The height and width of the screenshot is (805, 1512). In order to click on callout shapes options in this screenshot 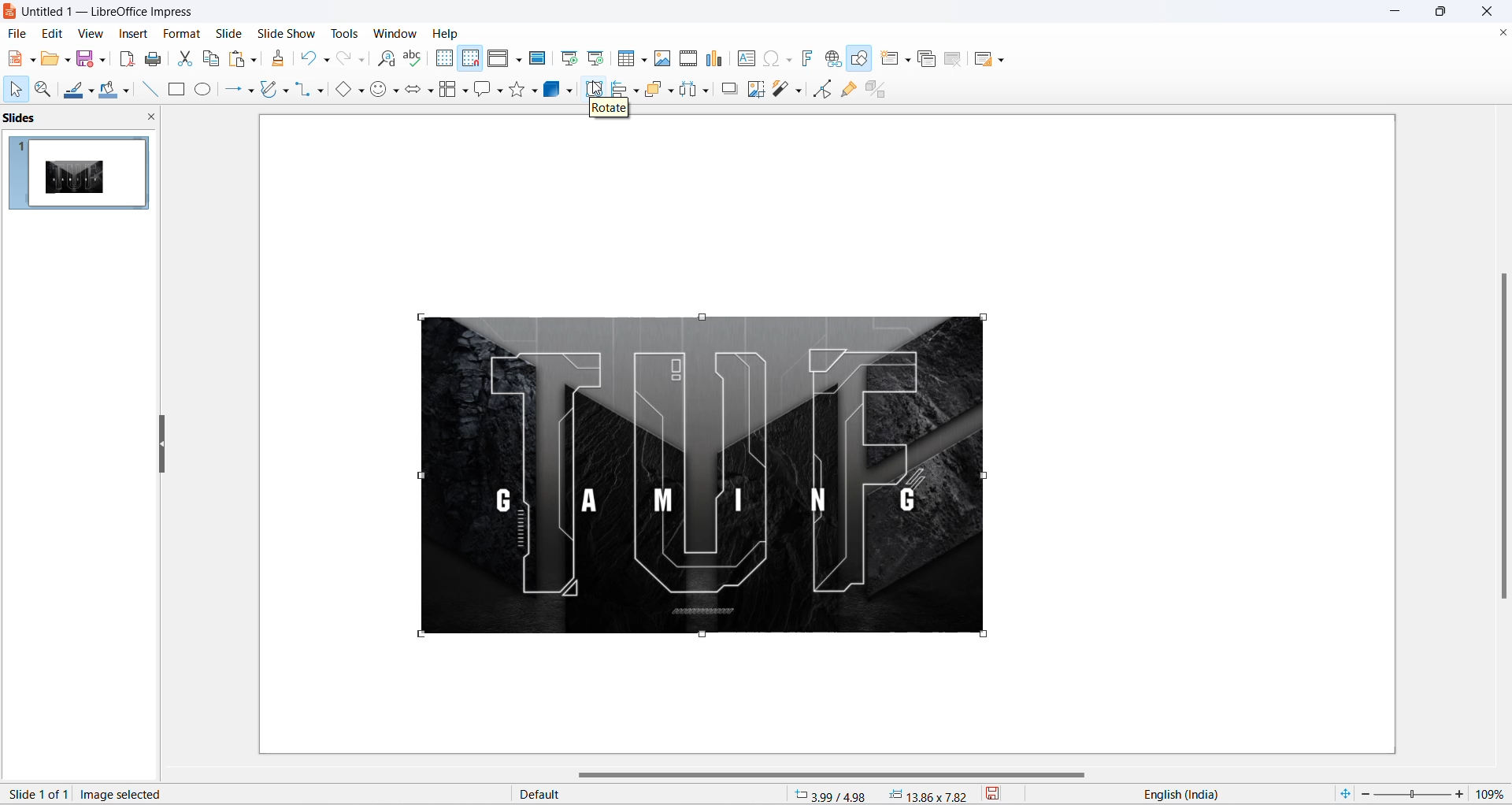, I will do `click(498, 92)`.